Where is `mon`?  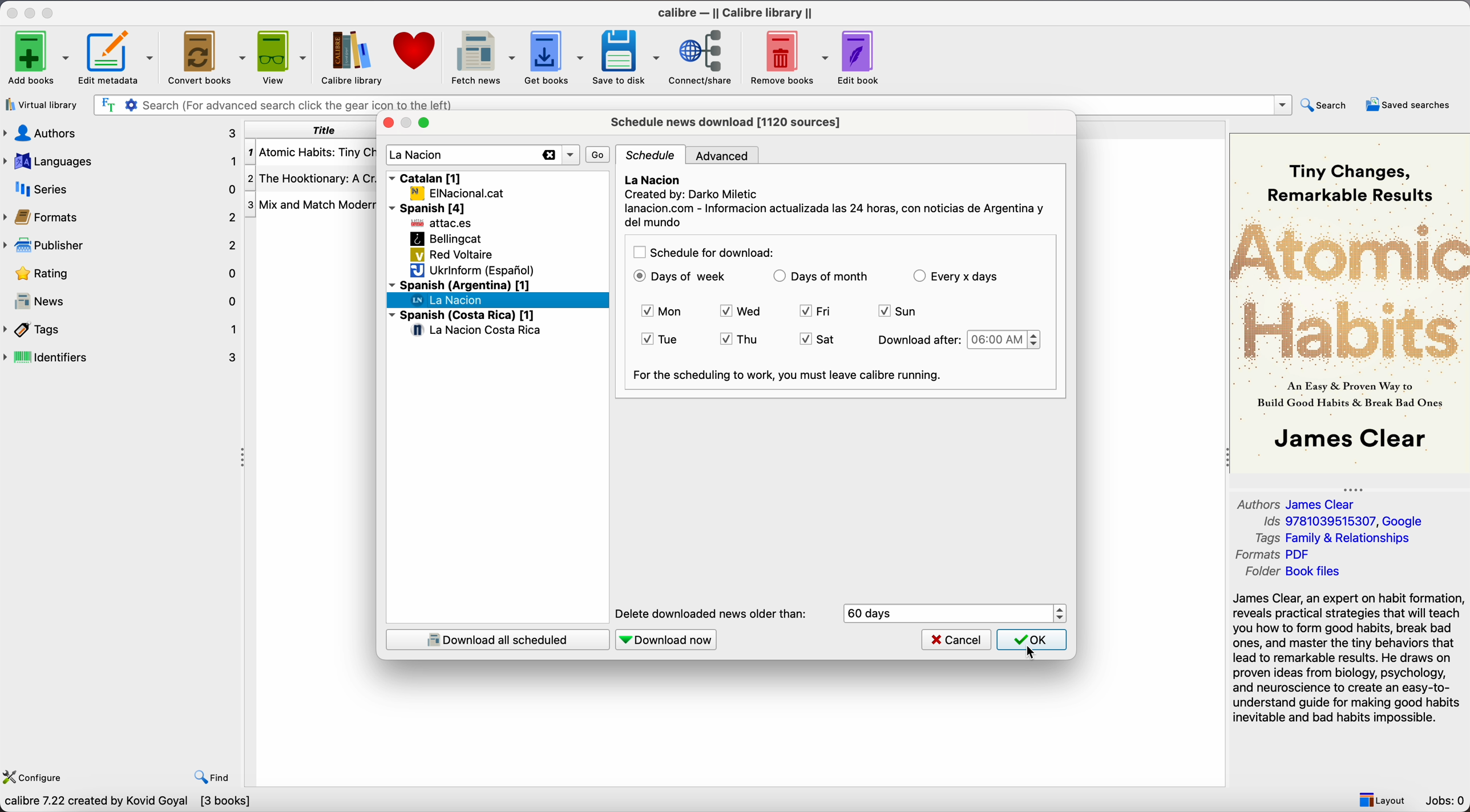 mon is located at coordinates (664, 312).